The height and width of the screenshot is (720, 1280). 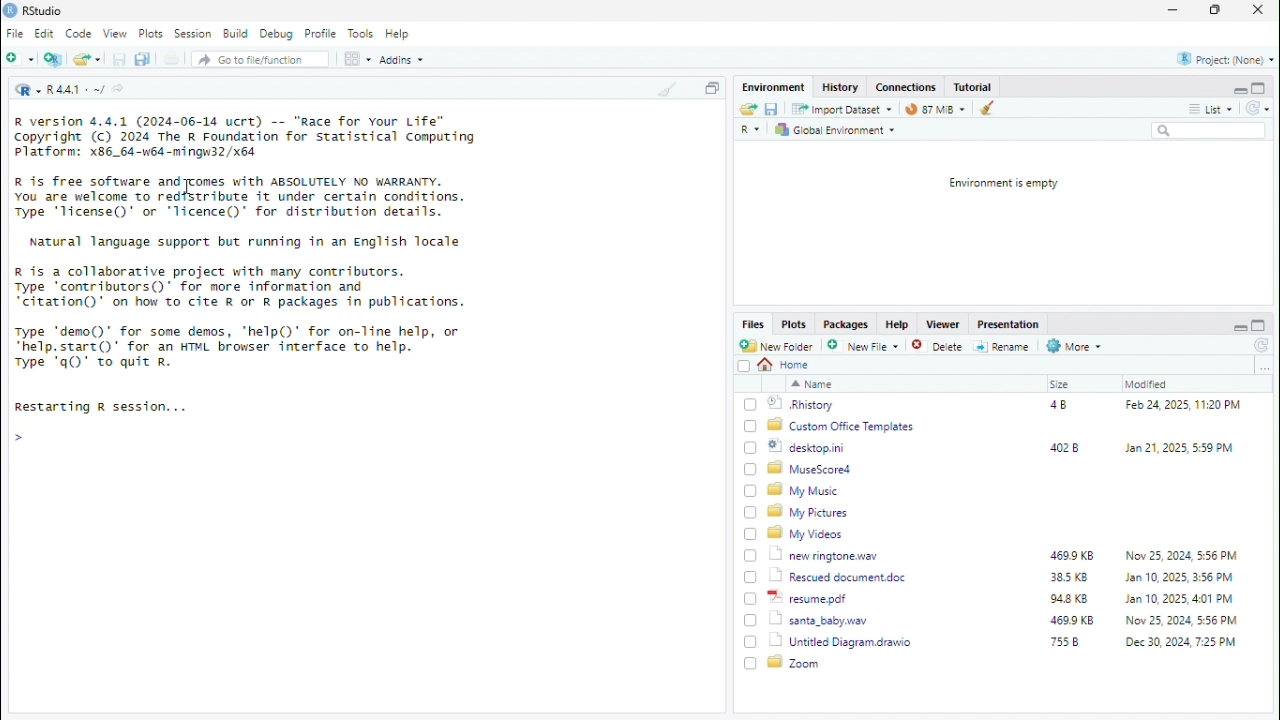 What do you see at coordinates (751, 469) in the screenshot?
I see `Checkbox` at bounding box center [751, 469].